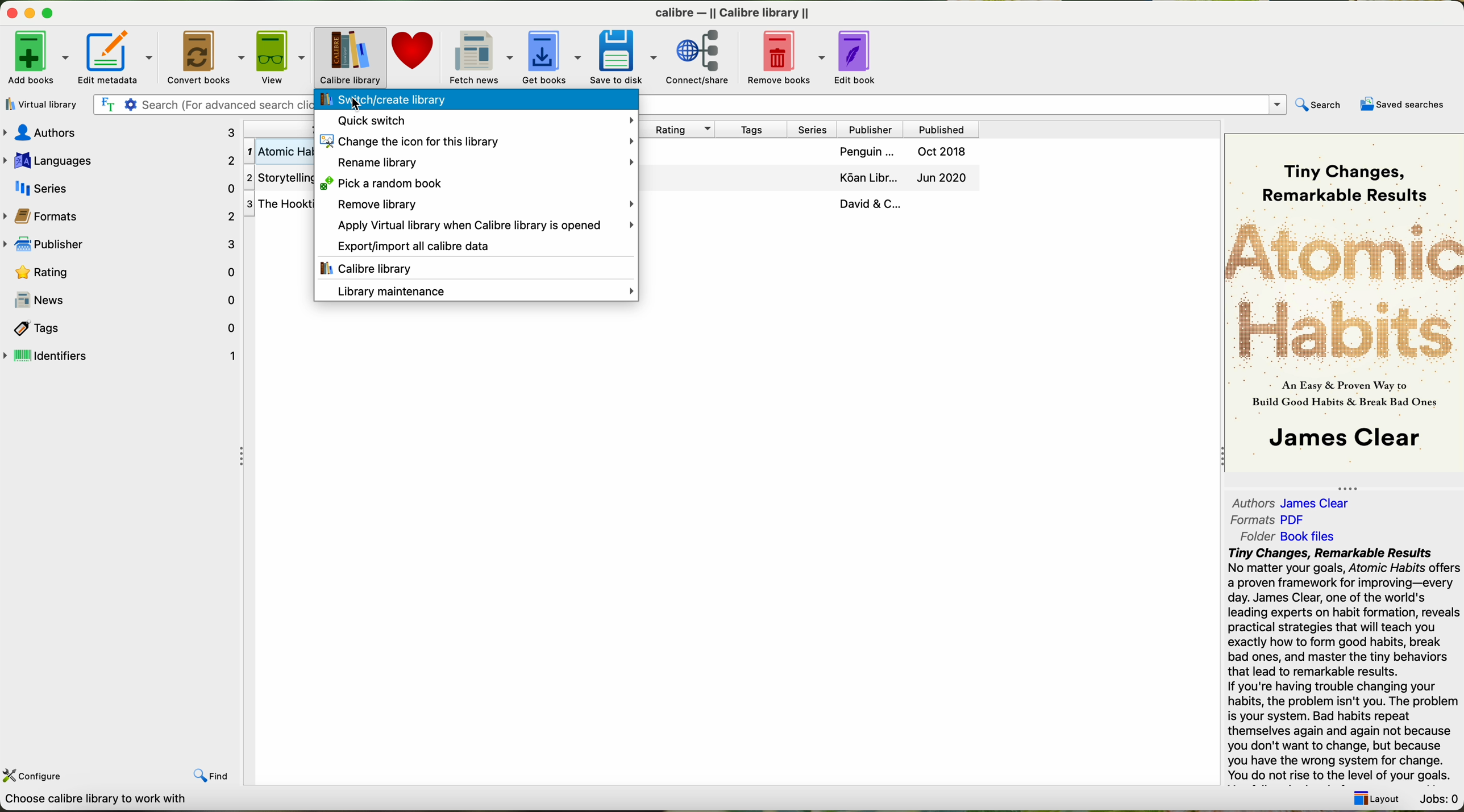  Describe the element at coordinates (906, 207) in the screenshot. I see `David & C` at that location.